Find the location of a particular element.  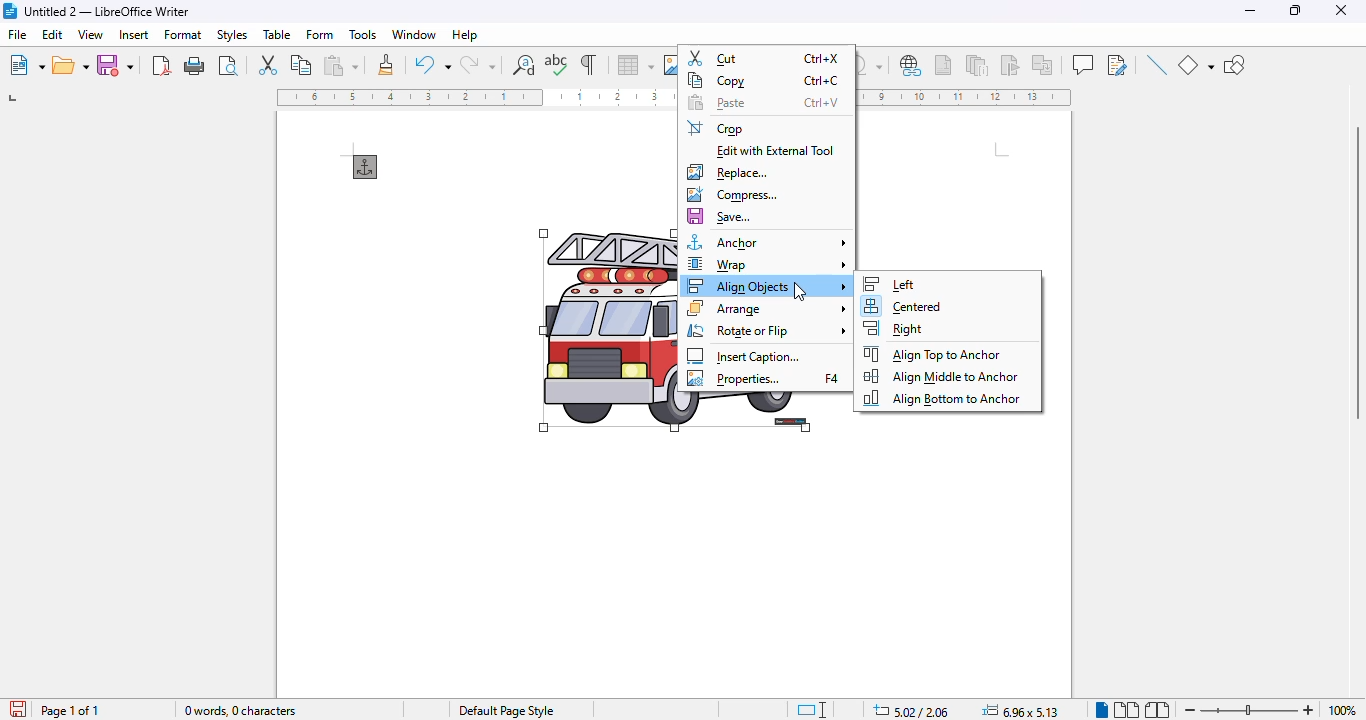

show draw functions is located at coordinates (1235, 66).